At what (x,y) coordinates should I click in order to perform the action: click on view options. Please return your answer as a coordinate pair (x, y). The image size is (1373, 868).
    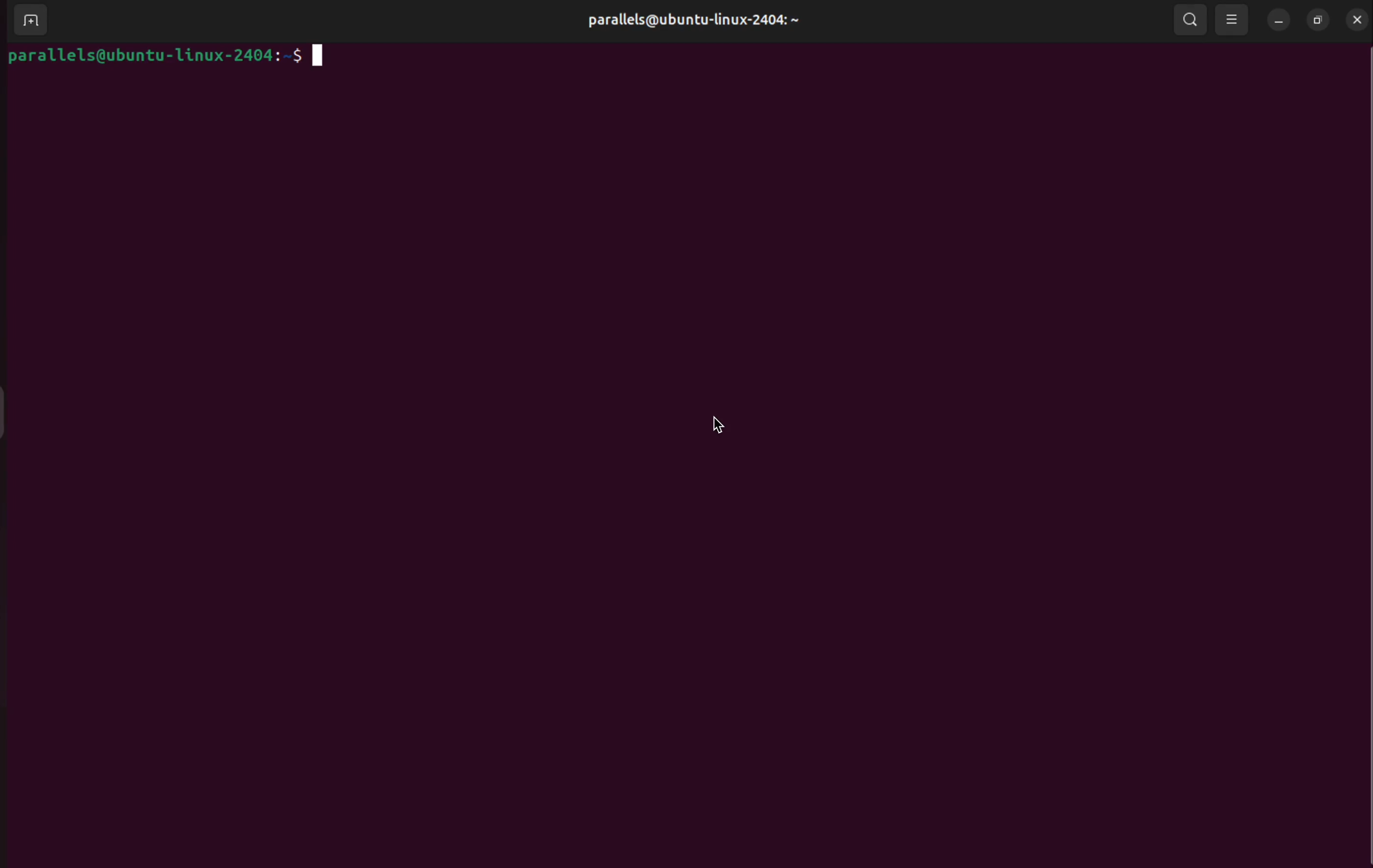
    Looking at the image, I should click on (1233, 19).